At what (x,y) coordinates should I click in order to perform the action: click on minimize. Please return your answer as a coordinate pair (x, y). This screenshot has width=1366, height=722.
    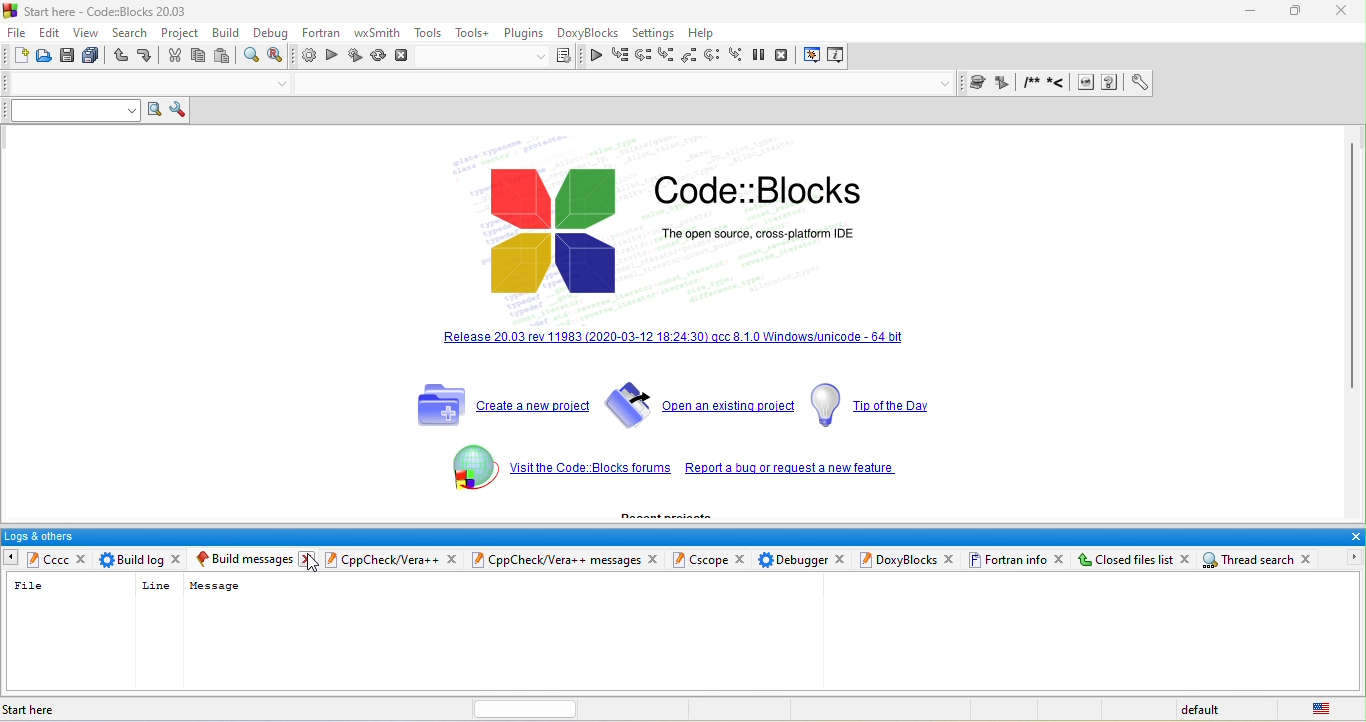
    Looking at the image, I should click on (1247, 11).